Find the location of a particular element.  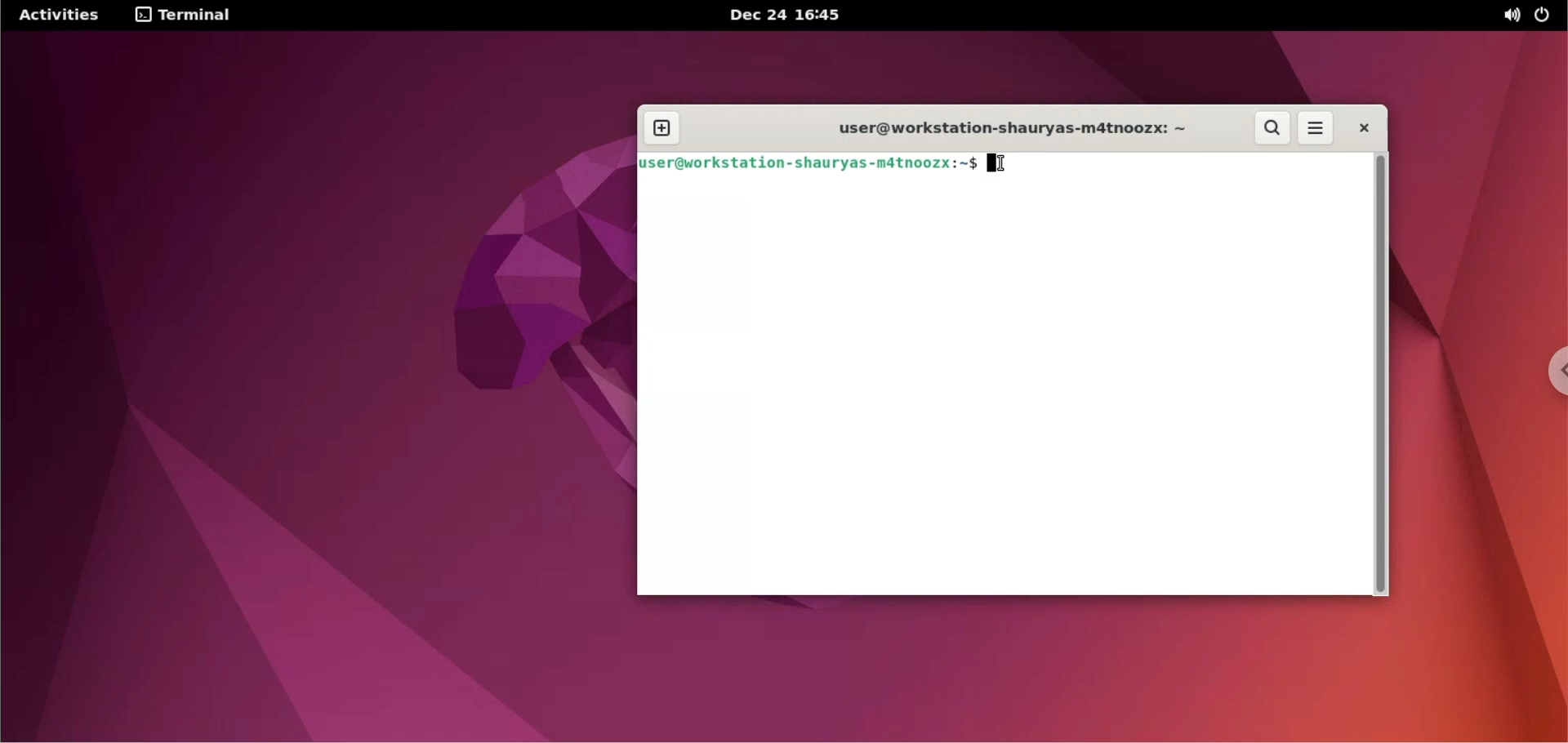

terminal options is located at coordinates (182, 17).